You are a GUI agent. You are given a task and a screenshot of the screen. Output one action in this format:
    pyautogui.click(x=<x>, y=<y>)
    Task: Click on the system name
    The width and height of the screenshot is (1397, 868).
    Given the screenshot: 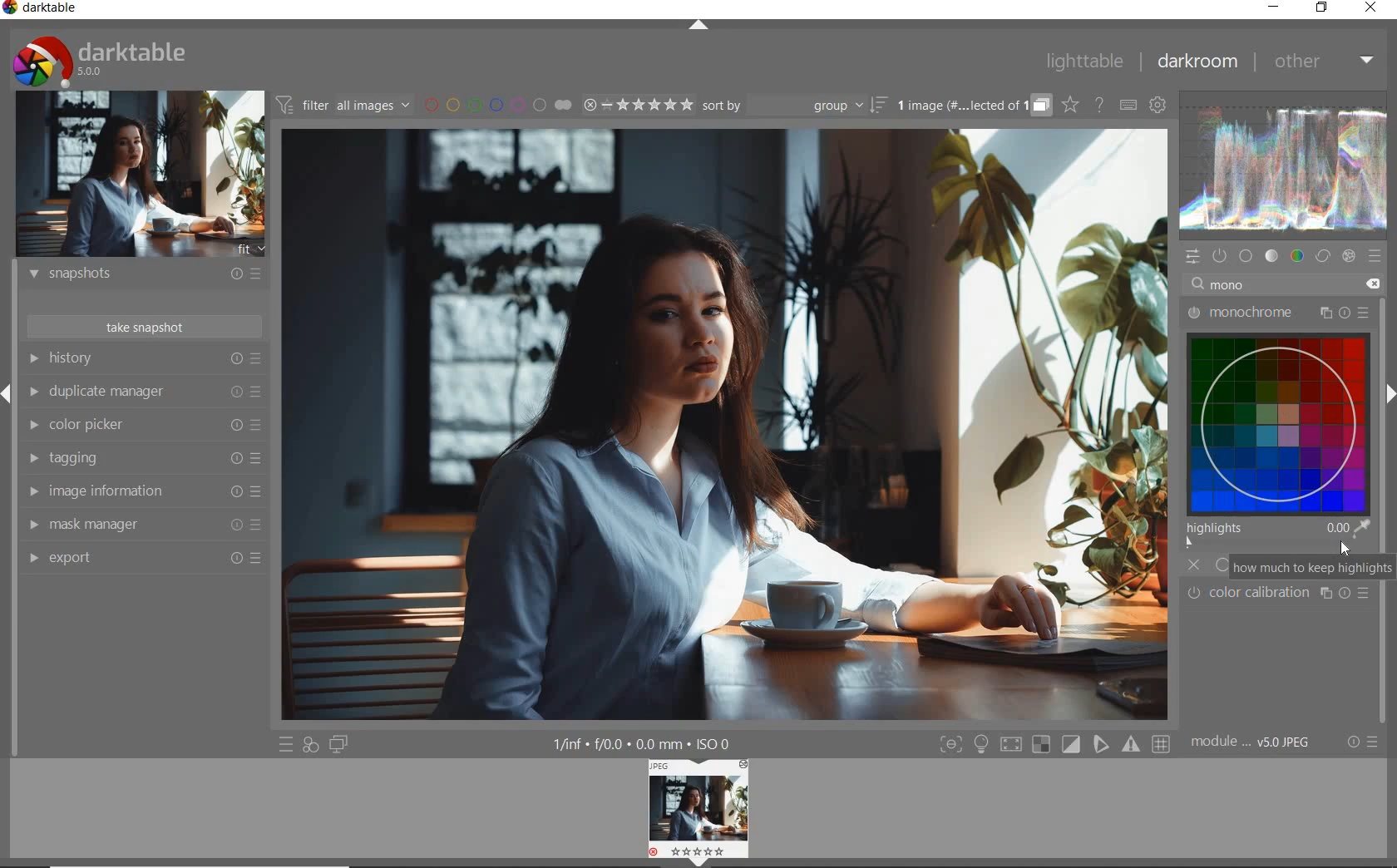 What is the action you would take?
    pyautogui.click(x=42, y=10)
    